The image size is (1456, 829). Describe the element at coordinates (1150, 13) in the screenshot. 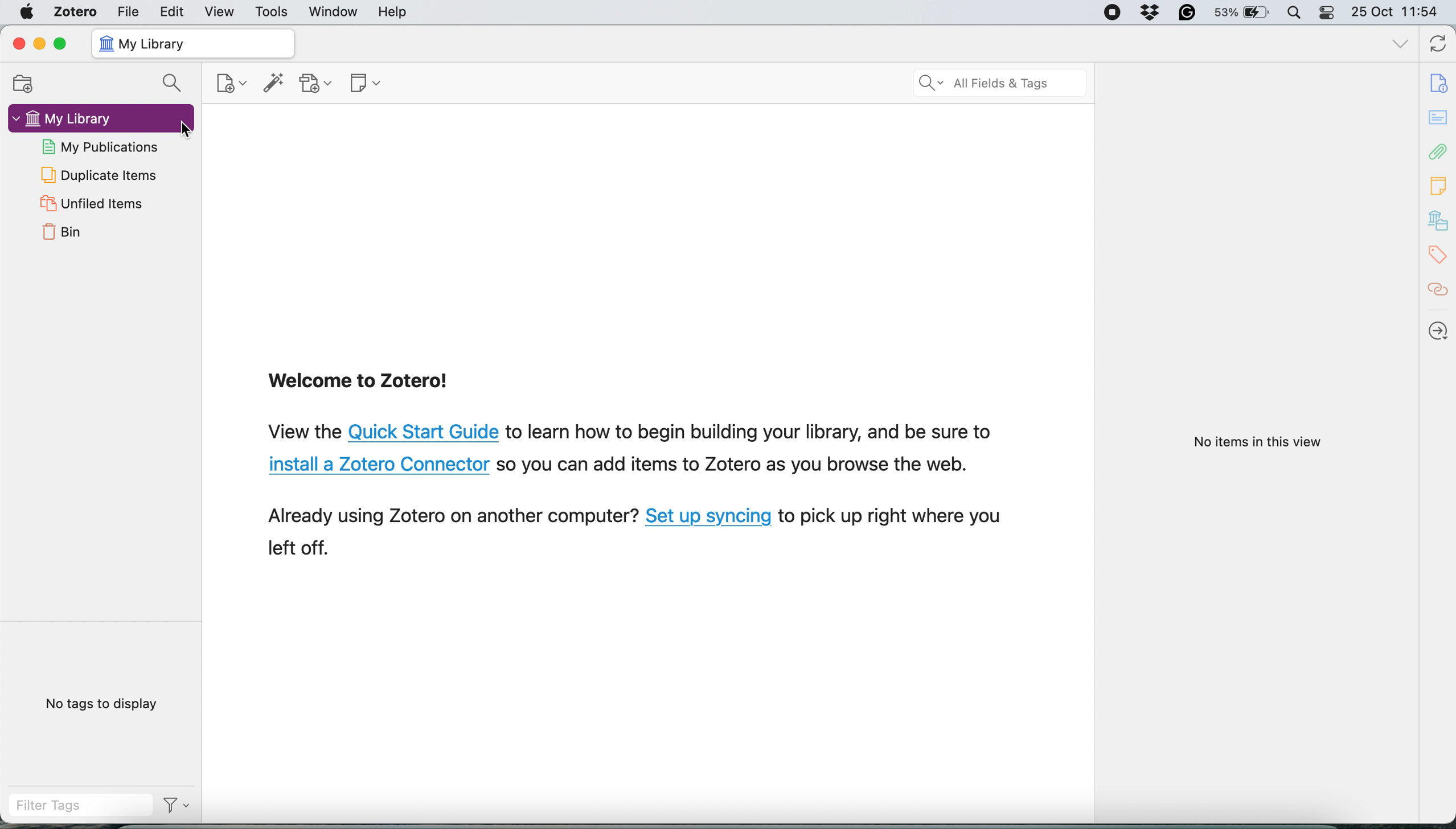

I see `dropbox` at that location.